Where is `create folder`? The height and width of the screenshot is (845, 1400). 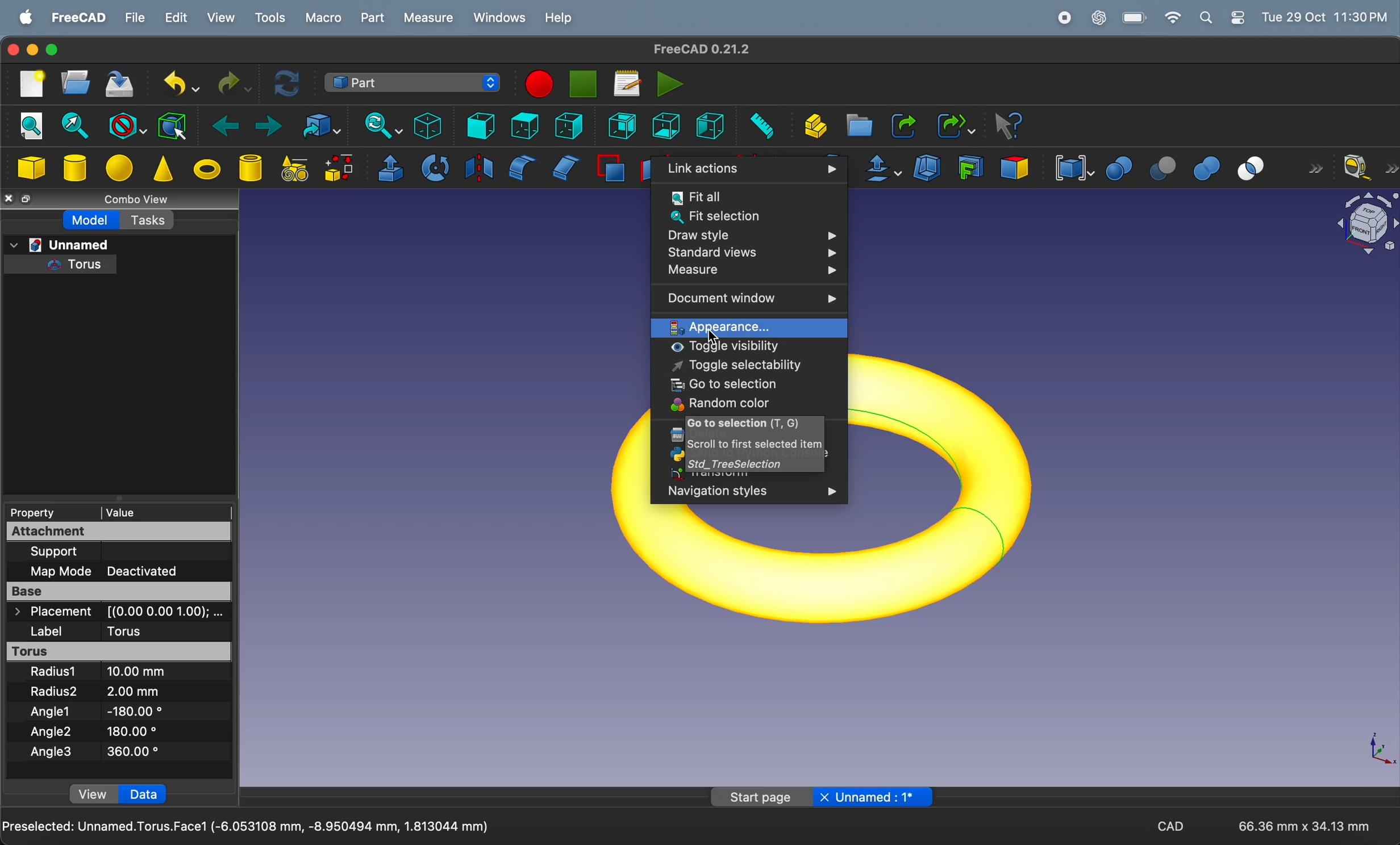 create folder is located at coordinates (859, 126).